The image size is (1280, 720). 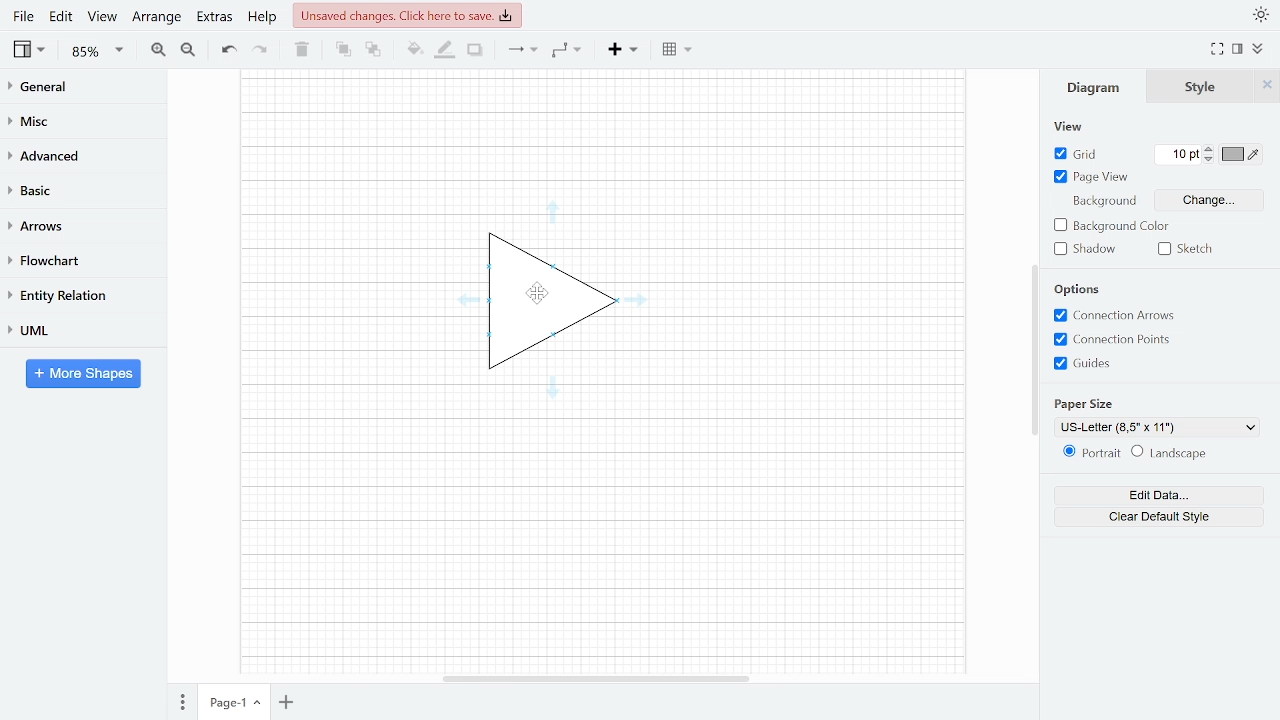 I want to click on Landscape, so click(x=1172, y=453).